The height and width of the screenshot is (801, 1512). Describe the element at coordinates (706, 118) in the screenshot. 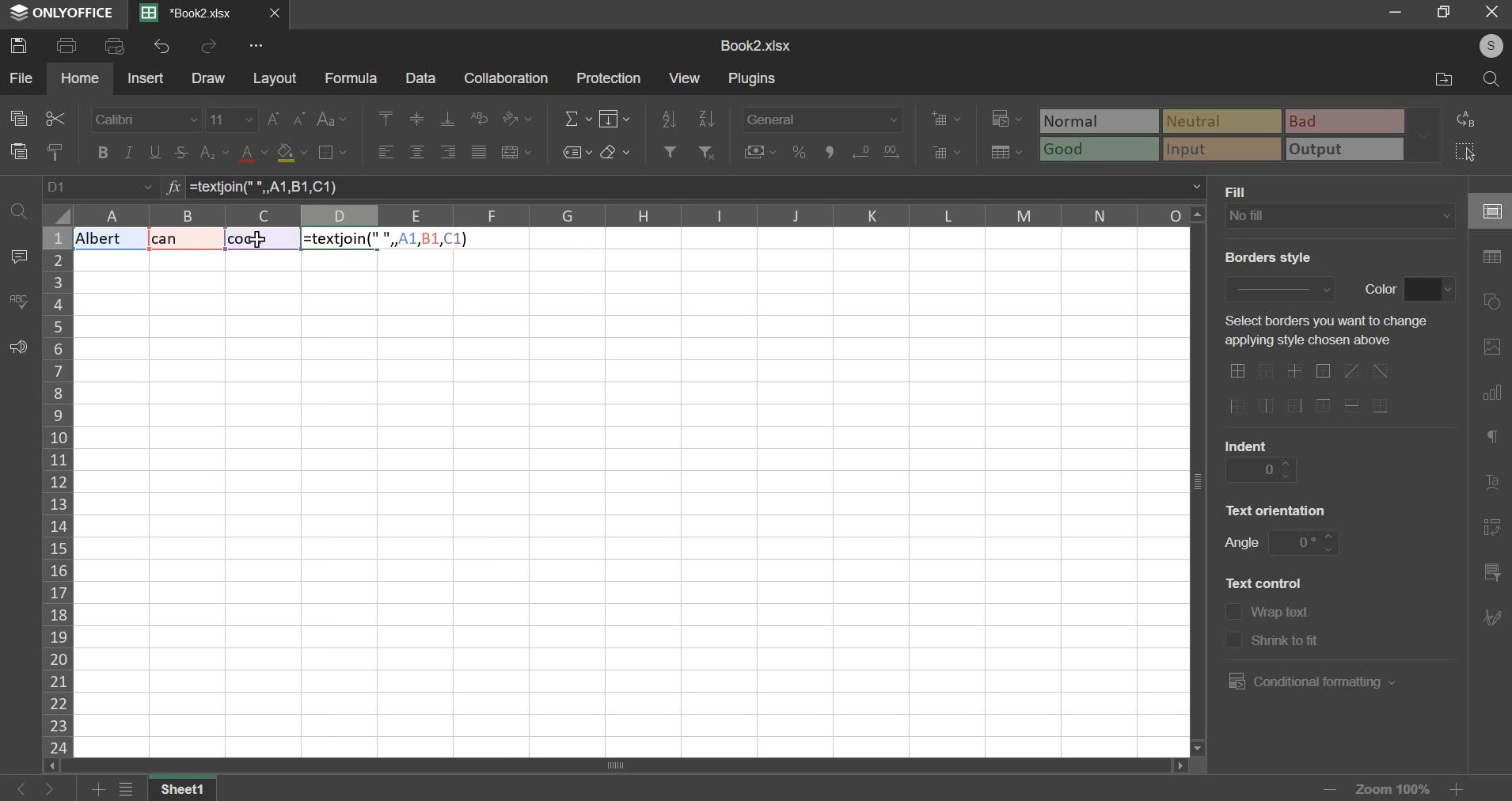

I see `sort descending` at that location.